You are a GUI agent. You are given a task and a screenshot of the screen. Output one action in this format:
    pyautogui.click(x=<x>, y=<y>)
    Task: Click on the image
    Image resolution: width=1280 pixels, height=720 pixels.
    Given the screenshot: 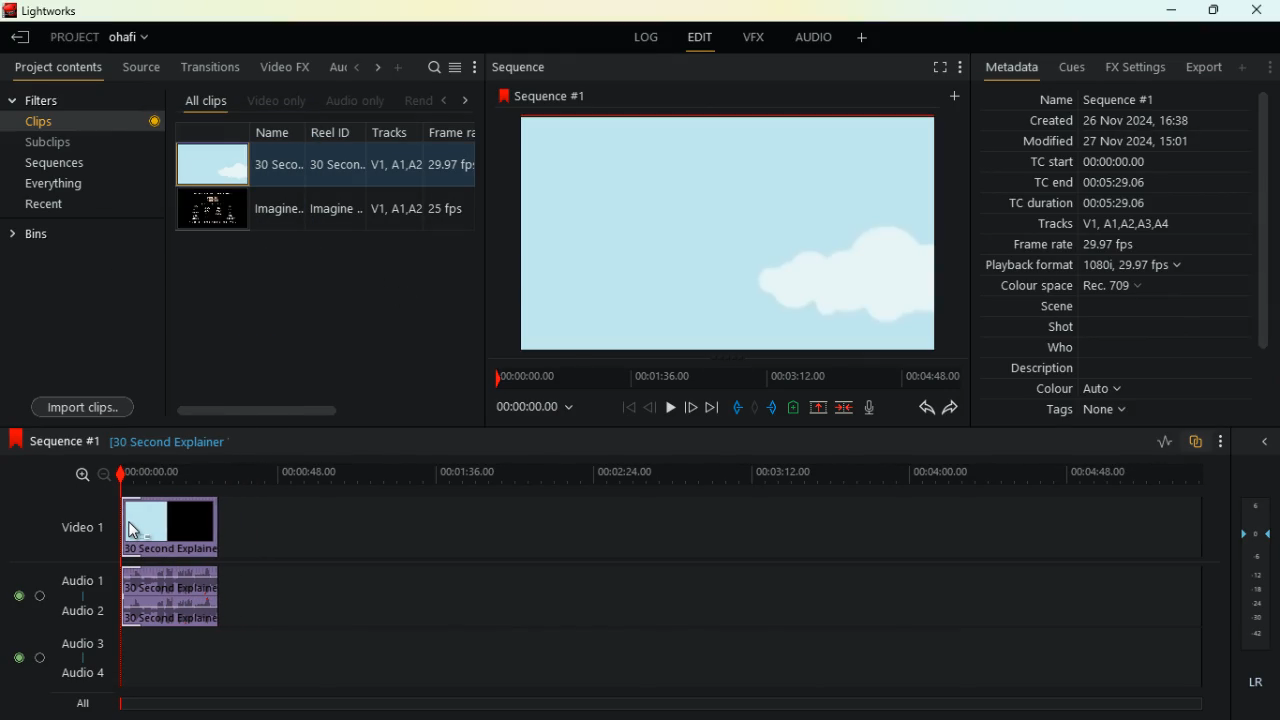 What is the action you would take?
    pyautogui.click(x=734, y=233)
    